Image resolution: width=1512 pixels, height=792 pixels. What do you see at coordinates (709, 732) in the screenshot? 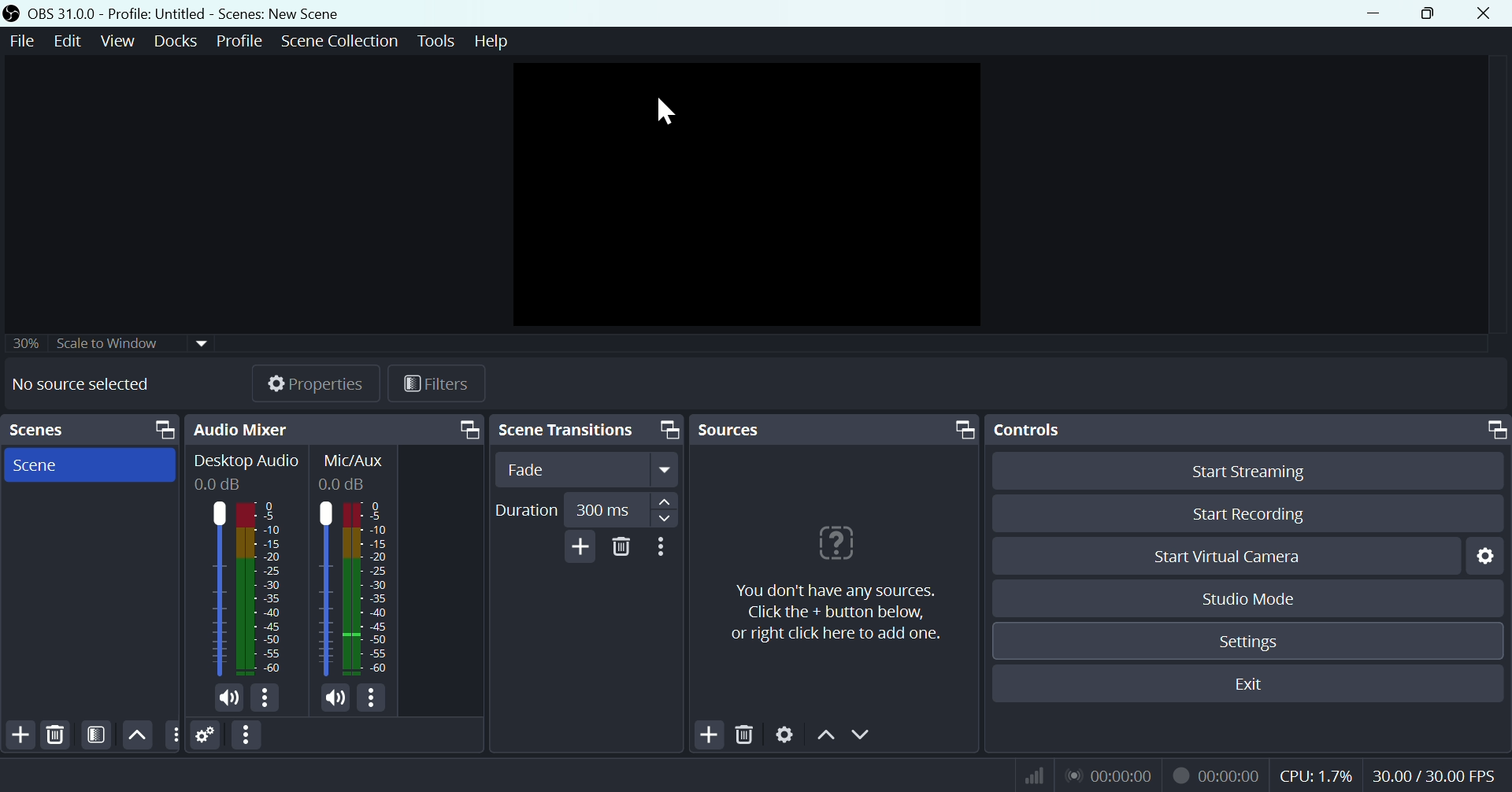
I see `Add` at bounding box center [709, 732].